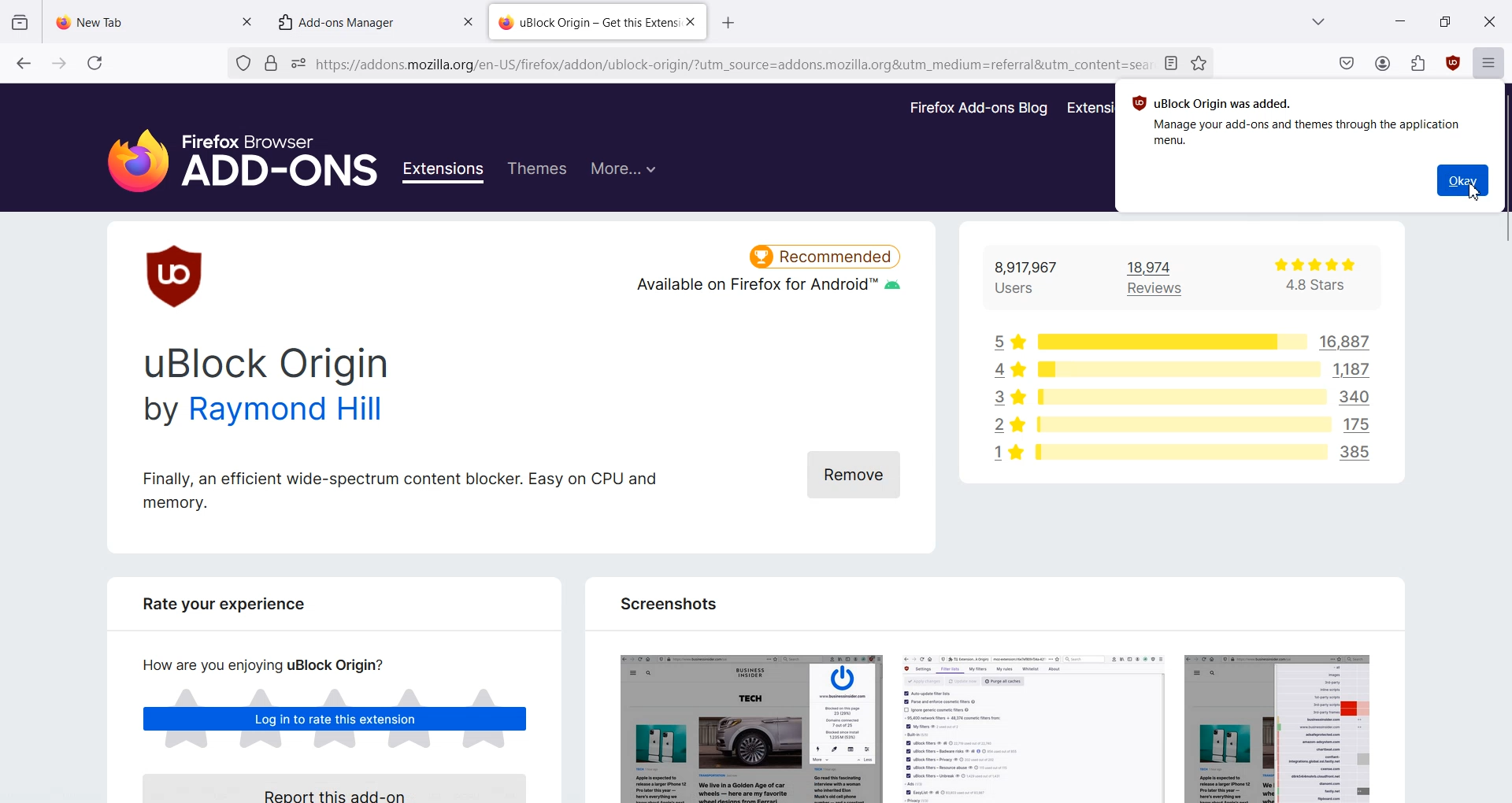 The width and height of the screenshot is (1512, 803). What do you see at coordinates (587, 20) in the screenshot?
I see `uBlock Origin — Get this Extens` at bounding box center [587, 20].